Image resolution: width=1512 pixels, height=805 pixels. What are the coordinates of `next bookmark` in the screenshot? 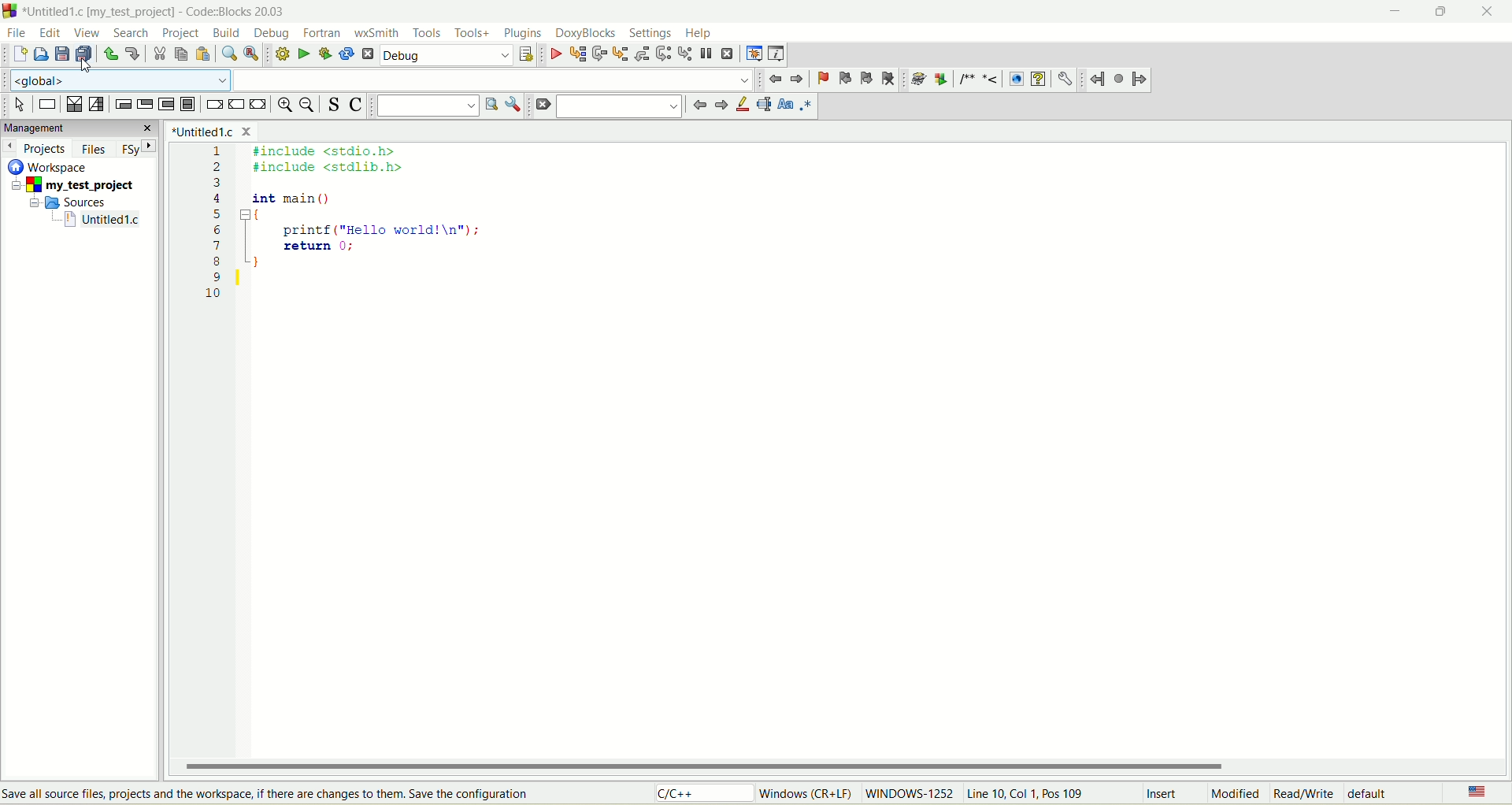 It's located at (868, 80).